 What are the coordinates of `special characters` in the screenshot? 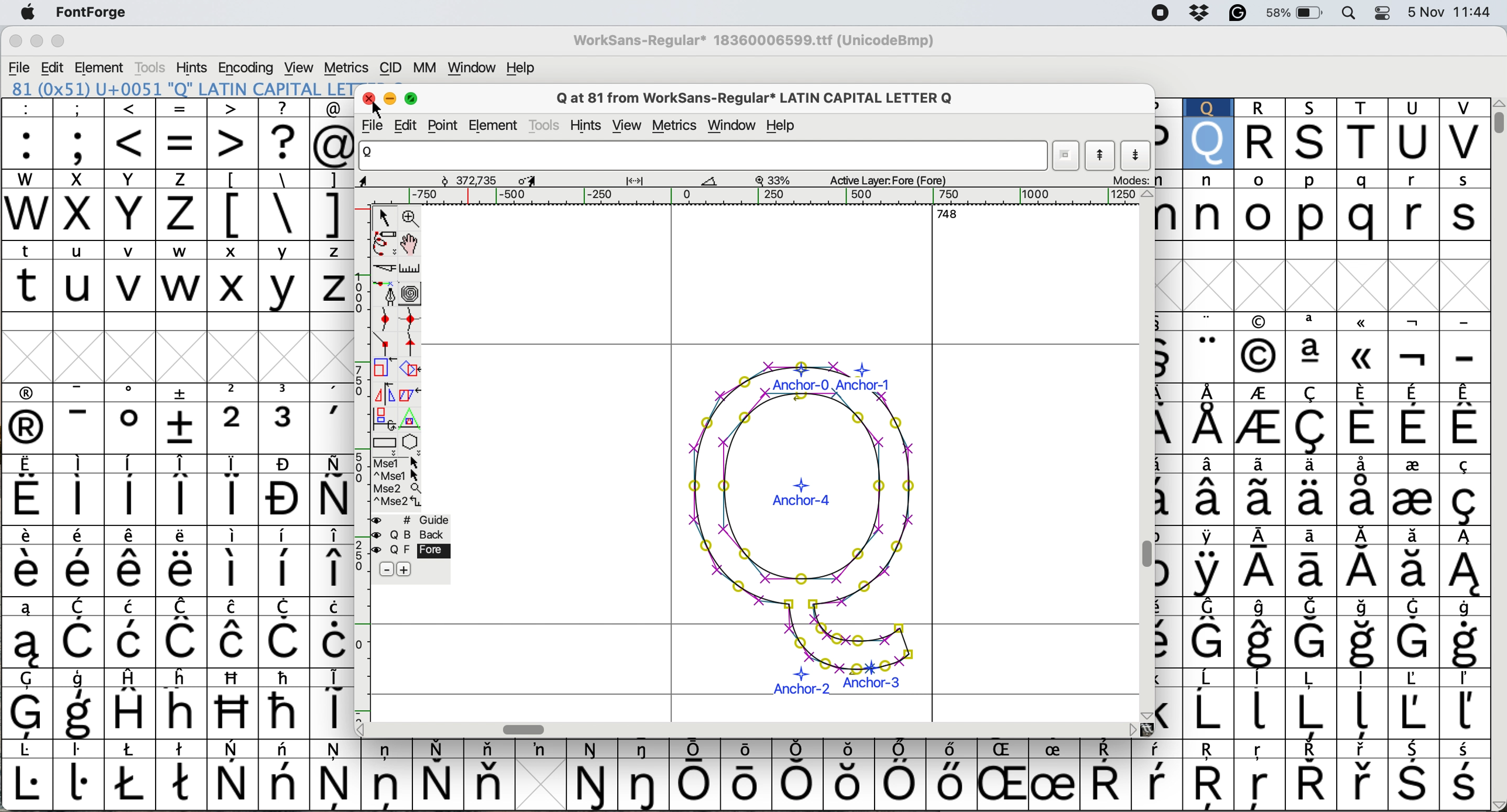 It's located at (177, 147).